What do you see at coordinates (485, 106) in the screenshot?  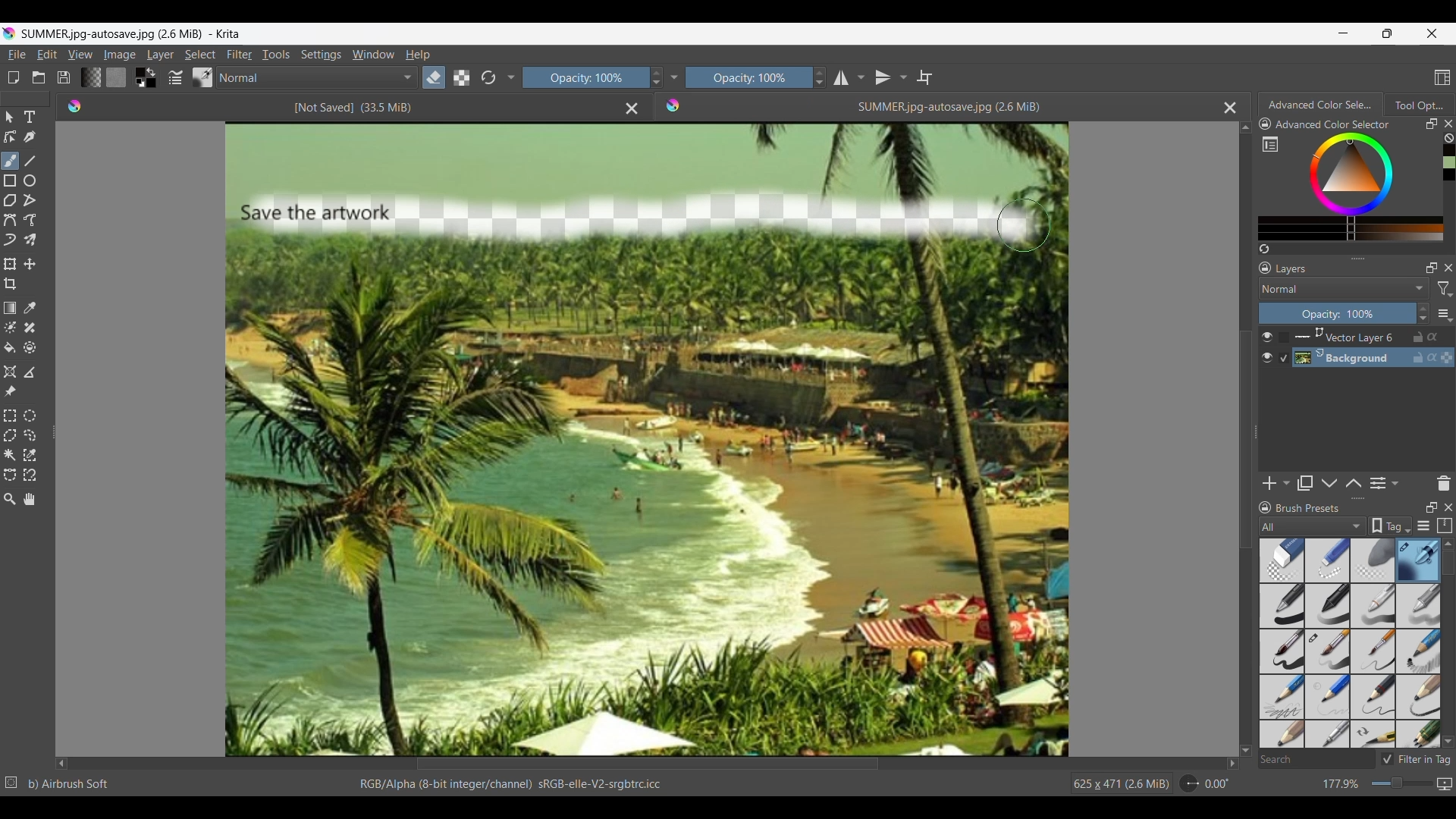 I see `Set eraser mode (E)` at bounding box center [485, 106].